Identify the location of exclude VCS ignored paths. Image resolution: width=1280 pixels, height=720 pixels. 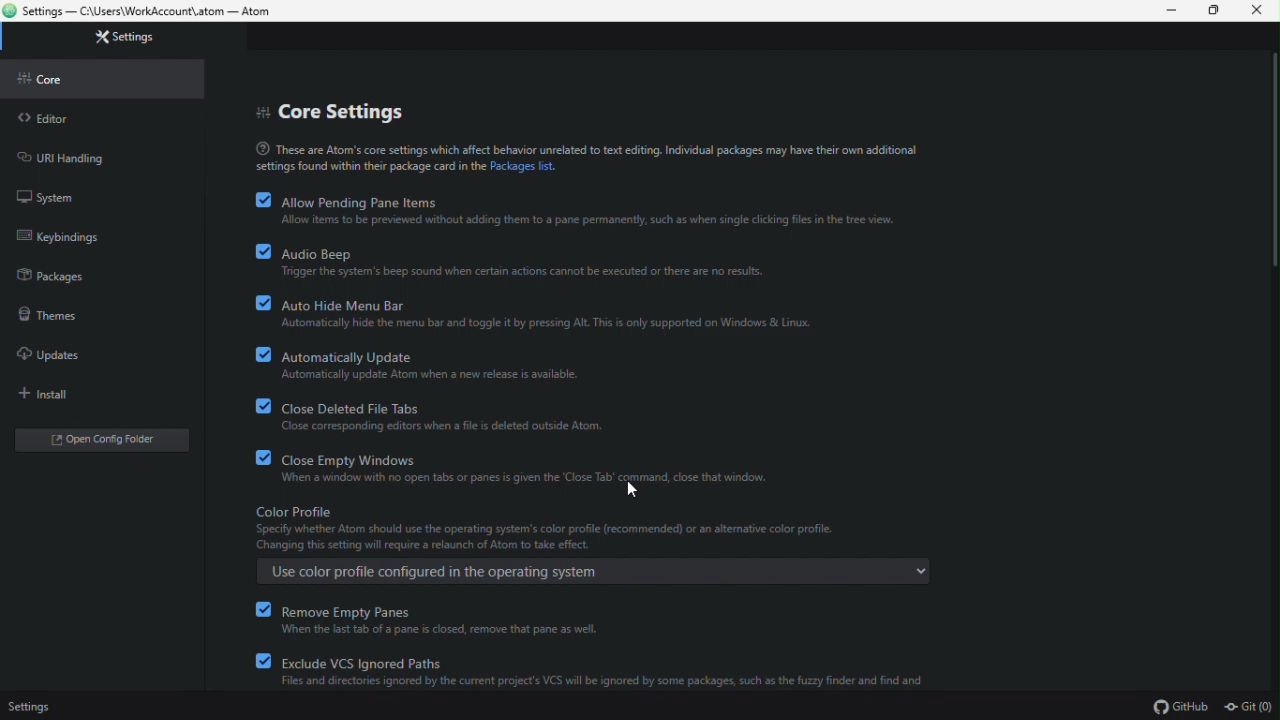
(606, 671).